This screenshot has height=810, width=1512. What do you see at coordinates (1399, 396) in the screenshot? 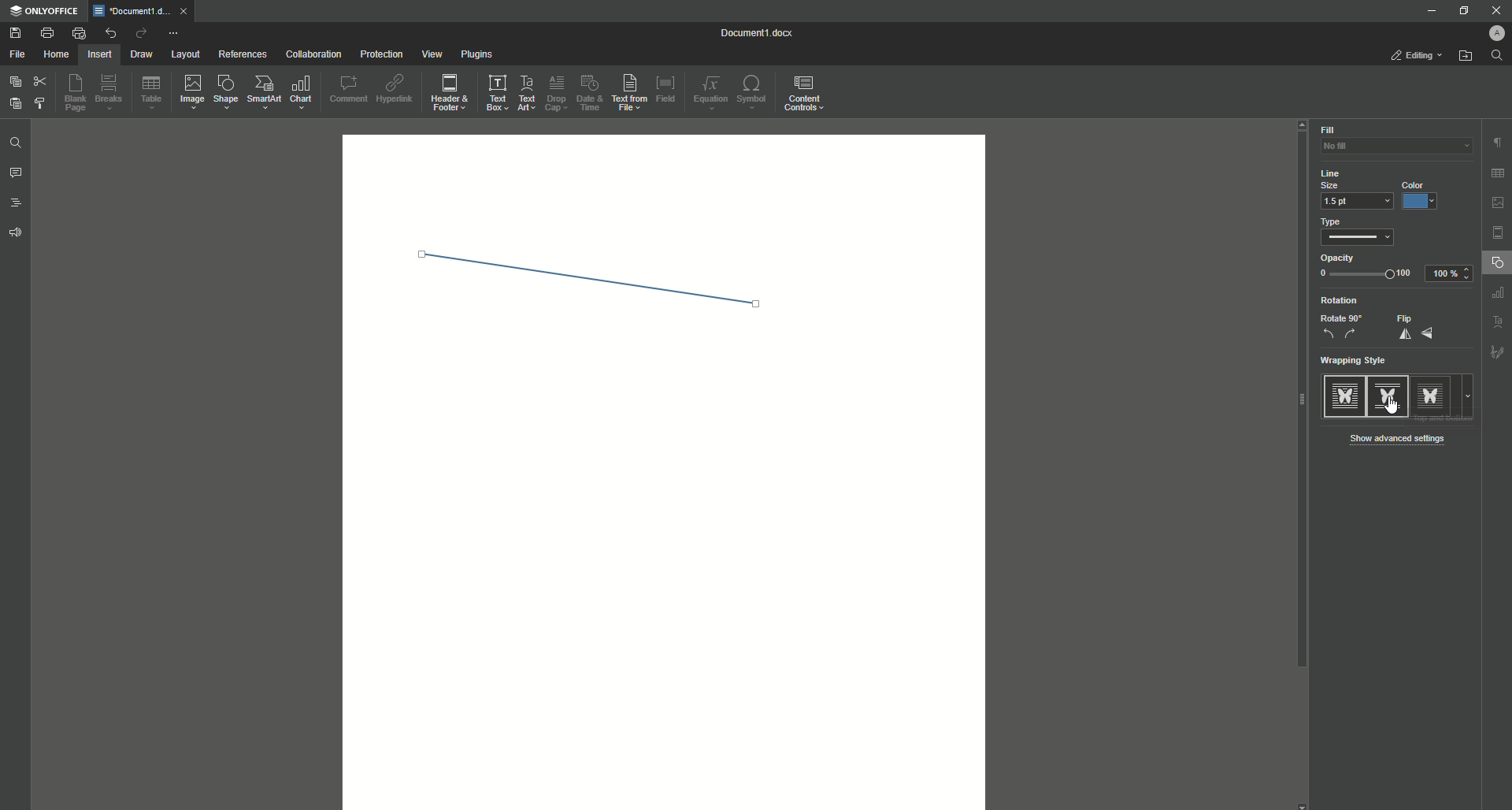
I see `Style Types` at bounding box center [1399, 396].